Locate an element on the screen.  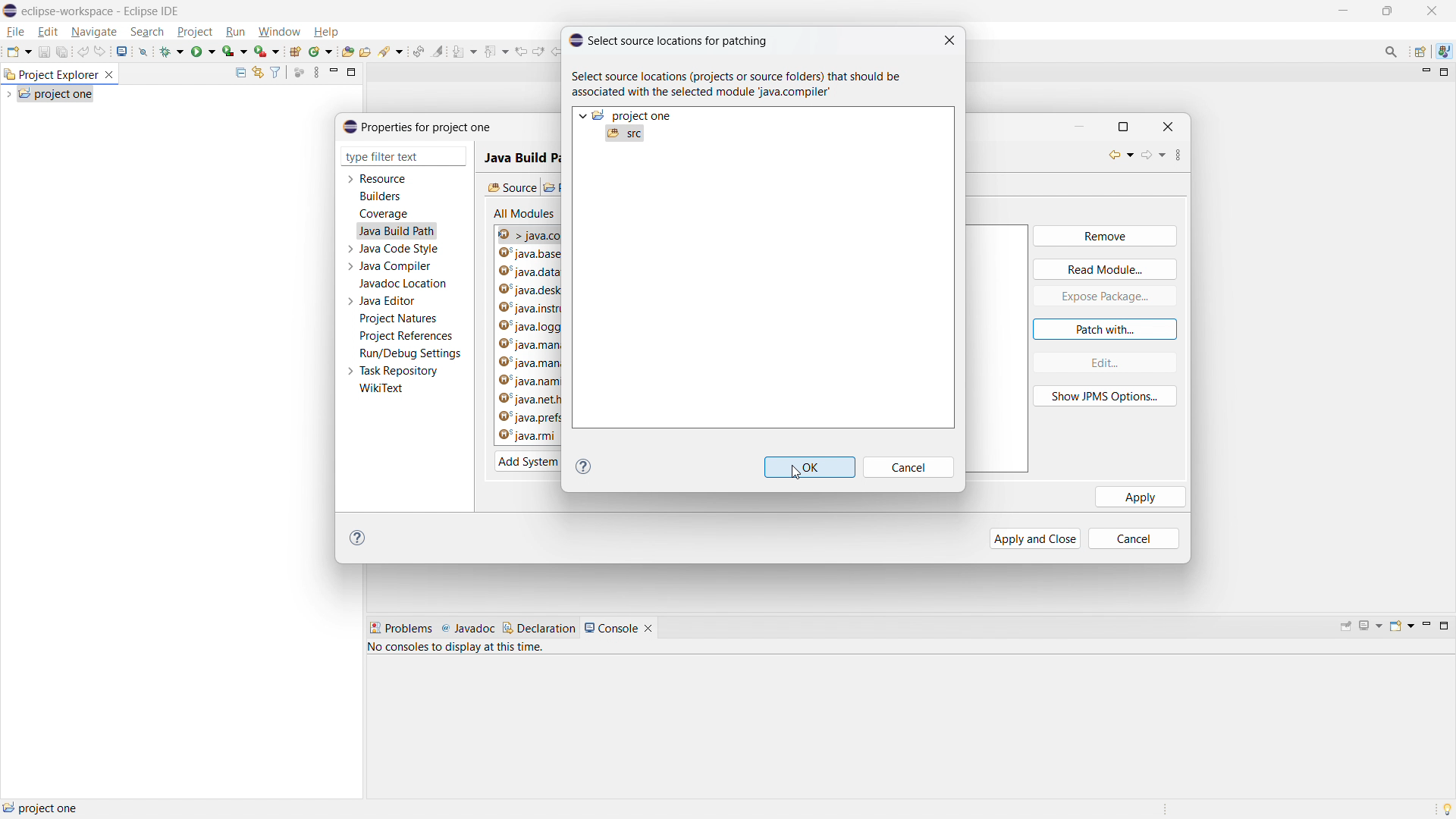
forward is located at coordinates (1154, 157).